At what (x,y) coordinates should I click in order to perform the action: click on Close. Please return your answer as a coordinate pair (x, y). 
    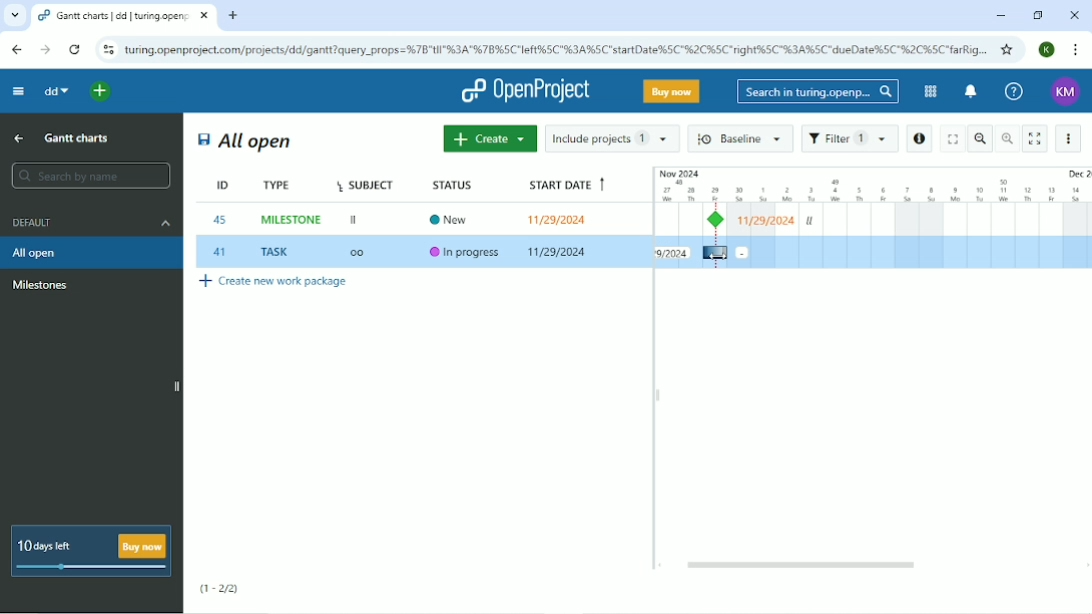
    Looking at the image, I should click on (1074, 16).